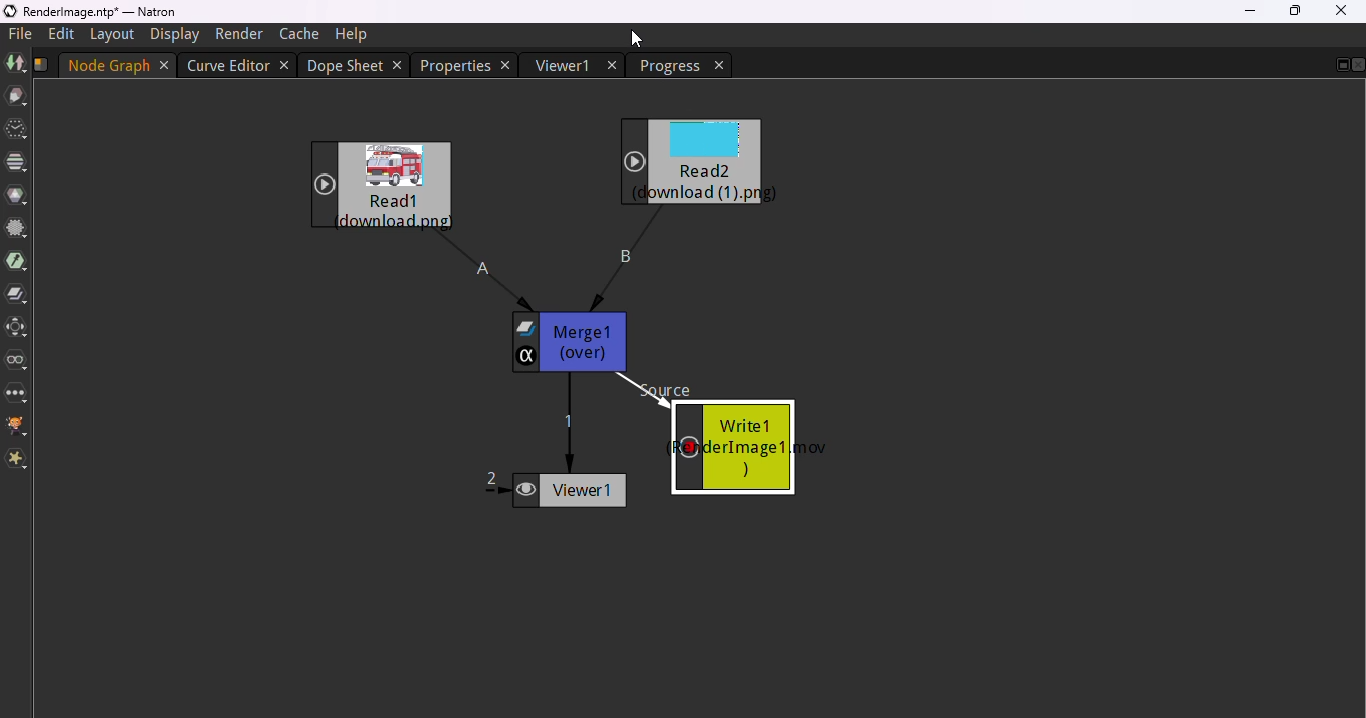  What do you see at coordinates (285, 65) in the screenshot?
I see `close tab` at bounding box center [285, 65].